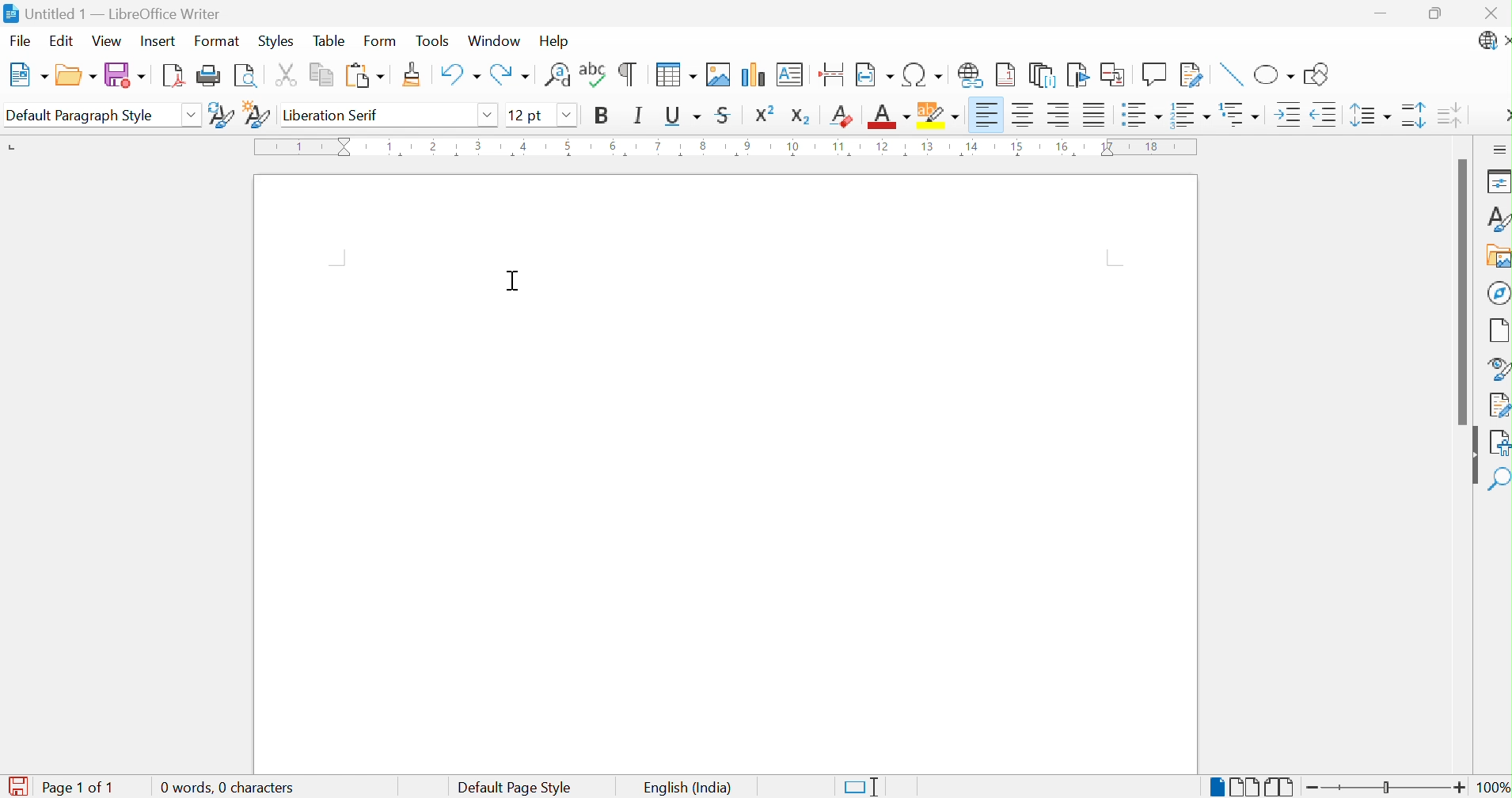 The width and height of the screenshot is (1512, 798). What do you see at coordinates (1325, 114) in the screenshot?
I see `Decrease Indent` at bounding box center [1325, 114].